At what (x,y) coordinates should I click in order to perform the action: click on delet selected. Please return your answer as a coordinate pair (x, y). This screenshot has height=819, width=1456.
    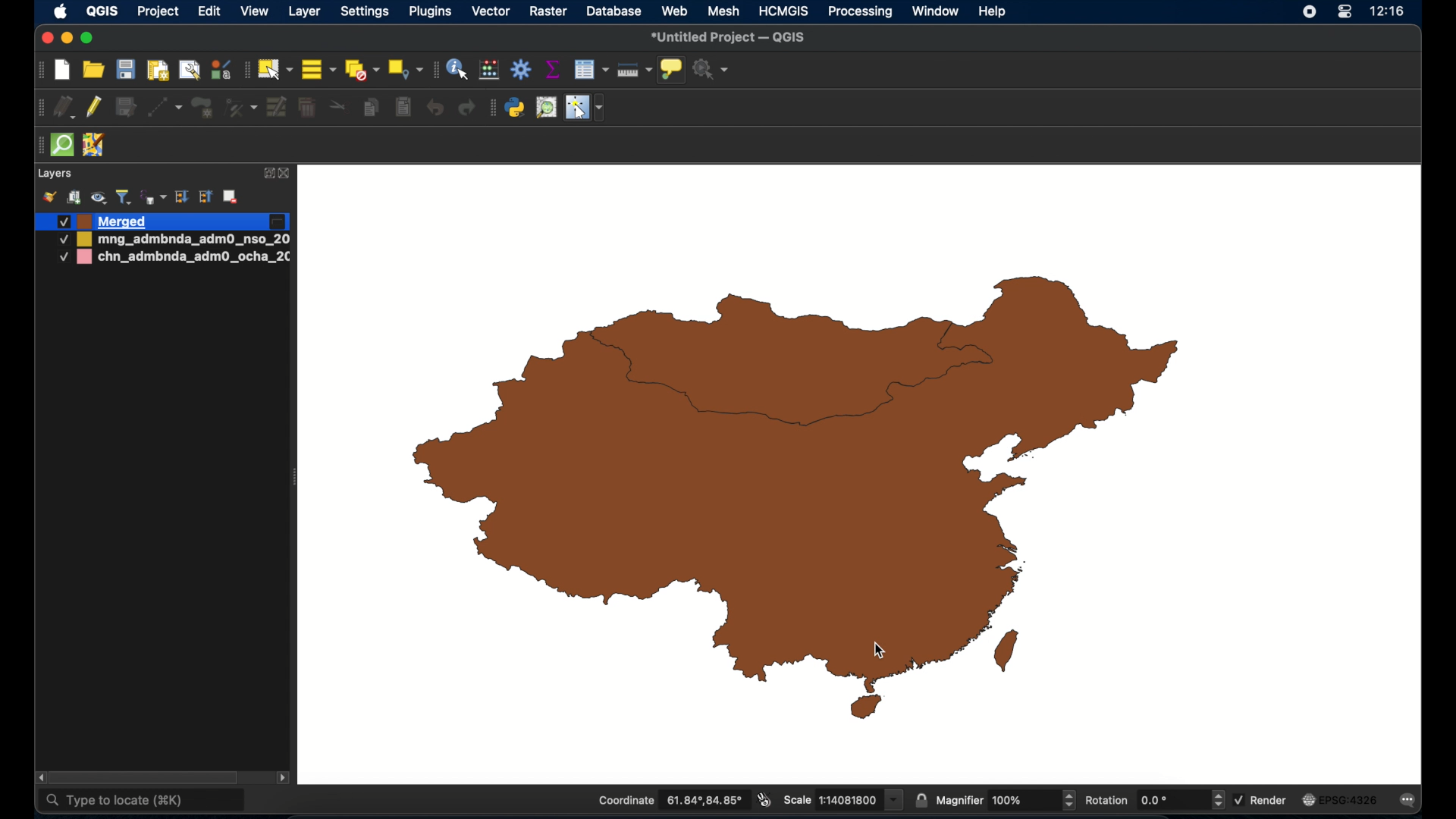
    Looking at the image, I should click on (306, 108).